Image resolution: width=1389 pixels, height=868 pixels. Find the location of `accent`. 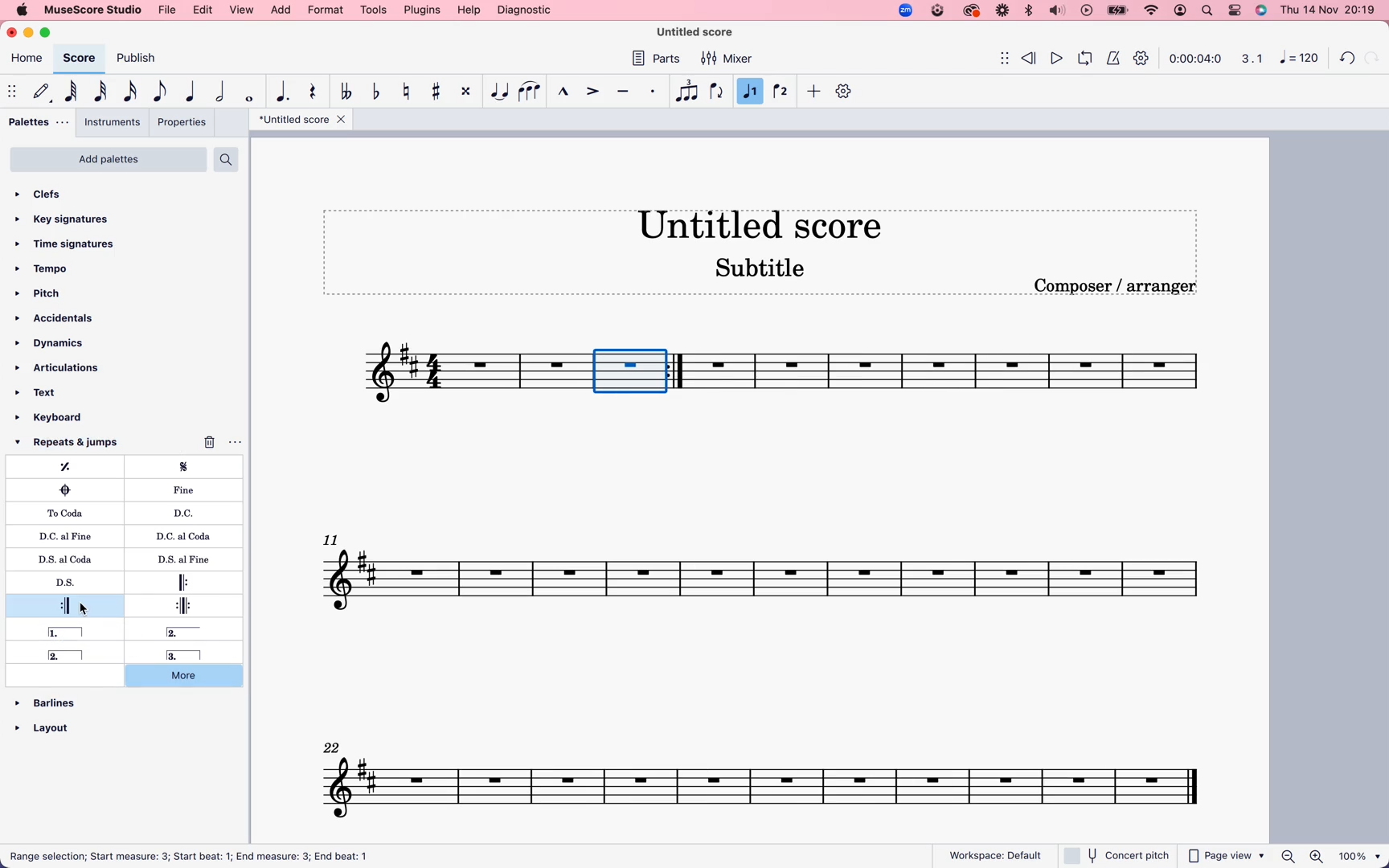

accent is located at coordinates (594, 91).